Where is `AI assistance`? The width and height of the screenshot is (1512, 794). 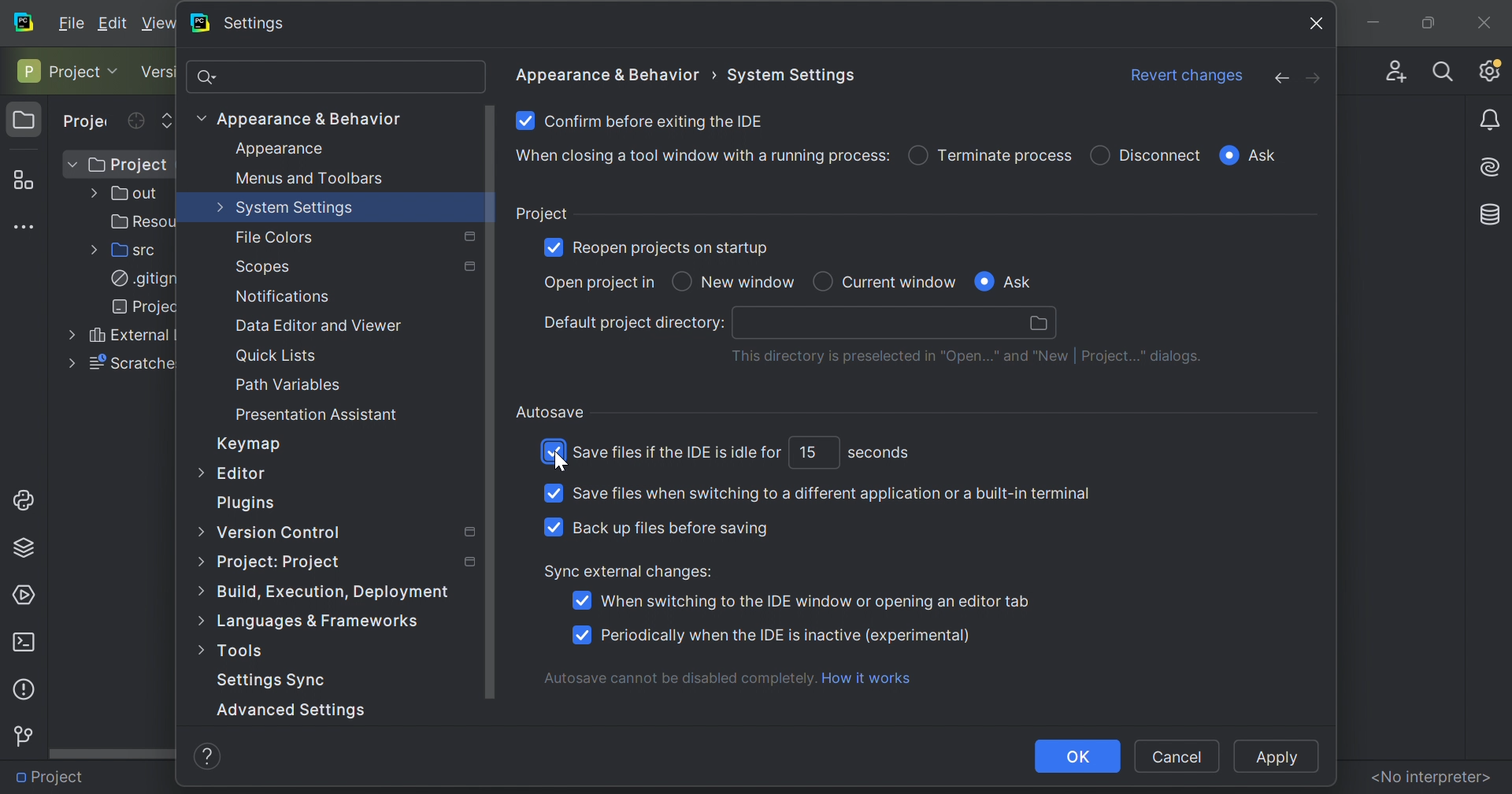
AI assistance is located at coordinates (1493, 165).